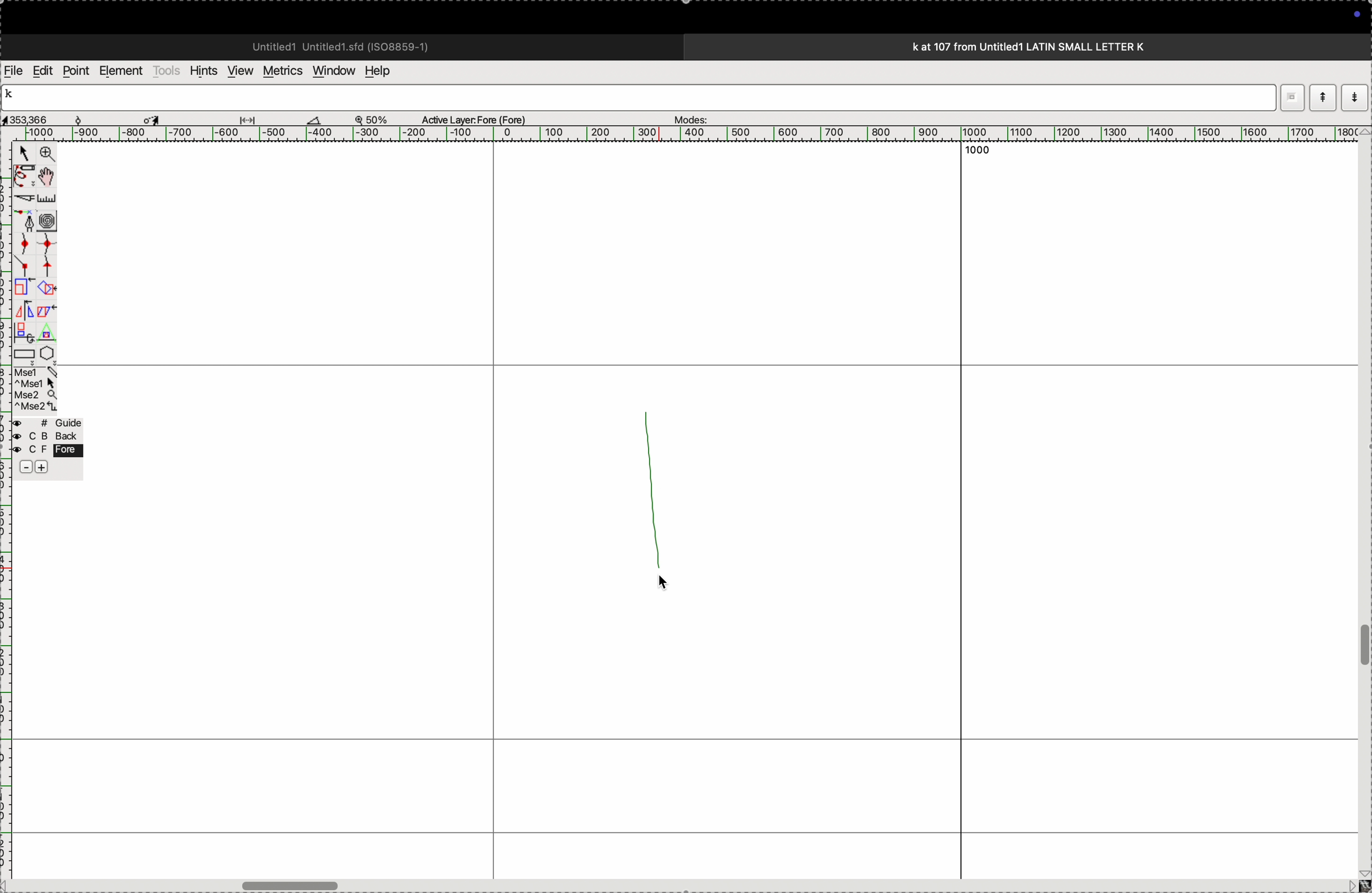  What do you see at coordinates (1322, 97) in the screenshot?
I see `modeup` at bounding box center [1322, 97].